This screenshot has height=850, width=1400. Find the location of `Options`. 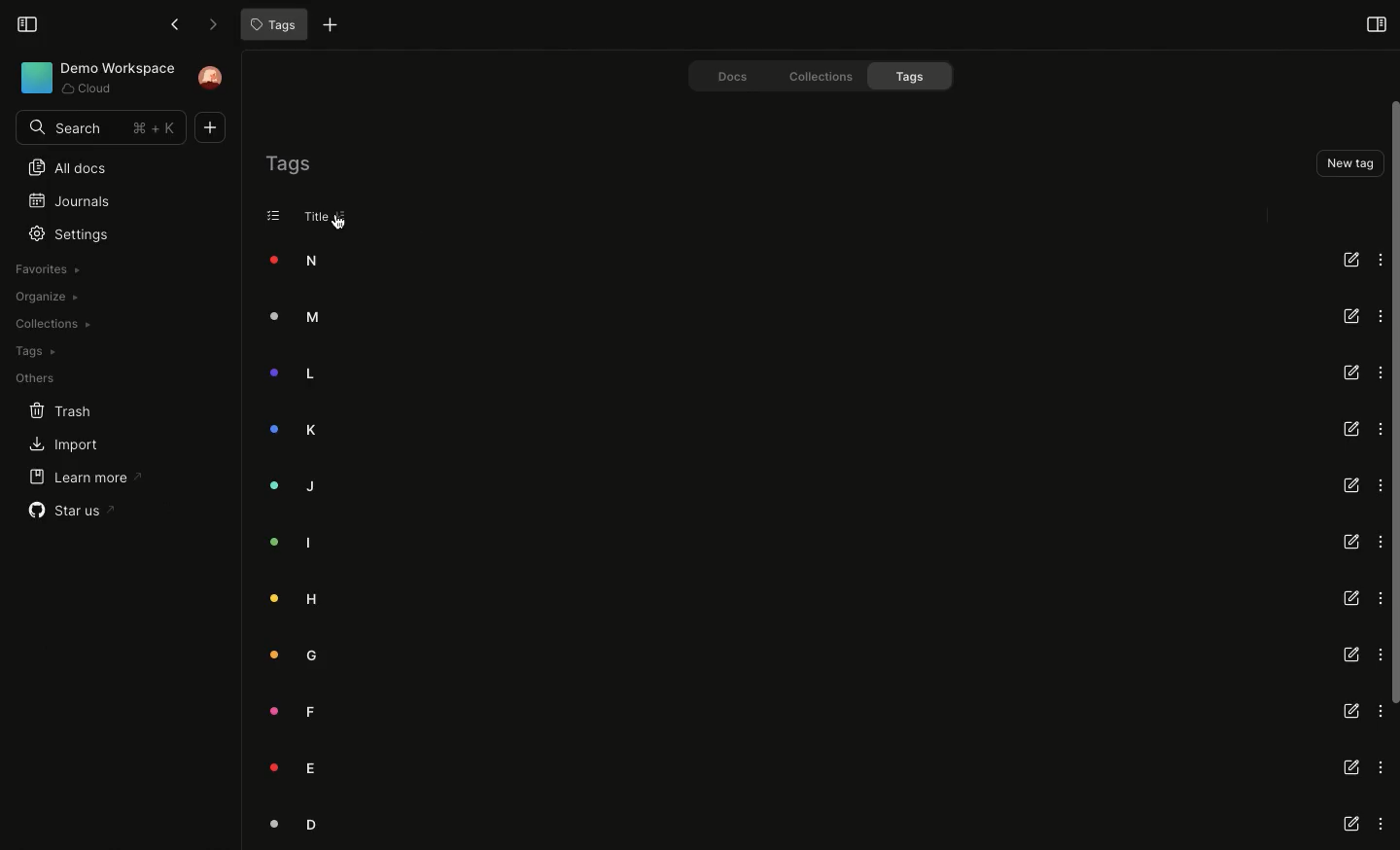

Options is located at coordinates (1377, 258).